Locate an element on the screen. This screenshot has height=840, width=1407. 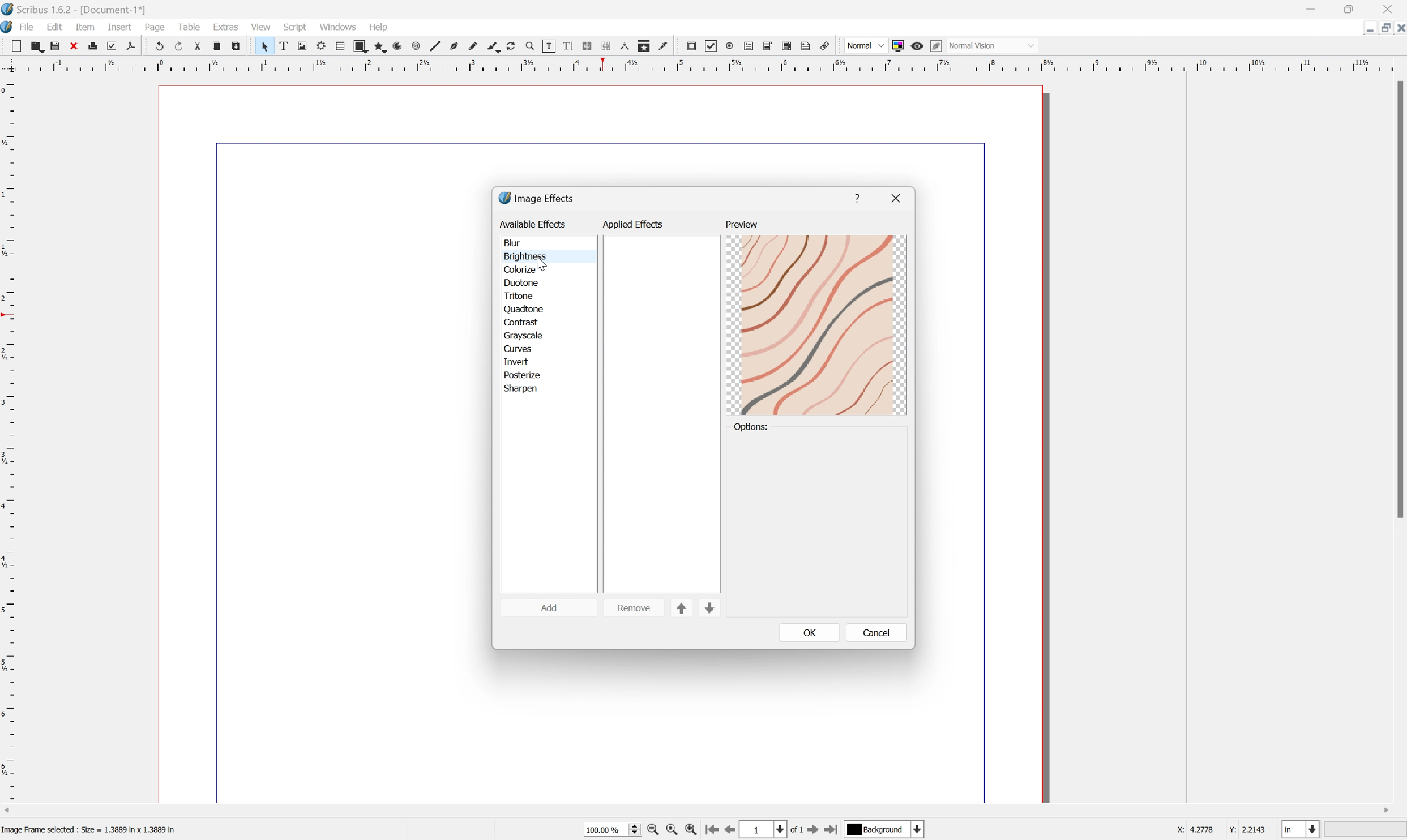
PDF List Box is located at coordinates (789, 46).